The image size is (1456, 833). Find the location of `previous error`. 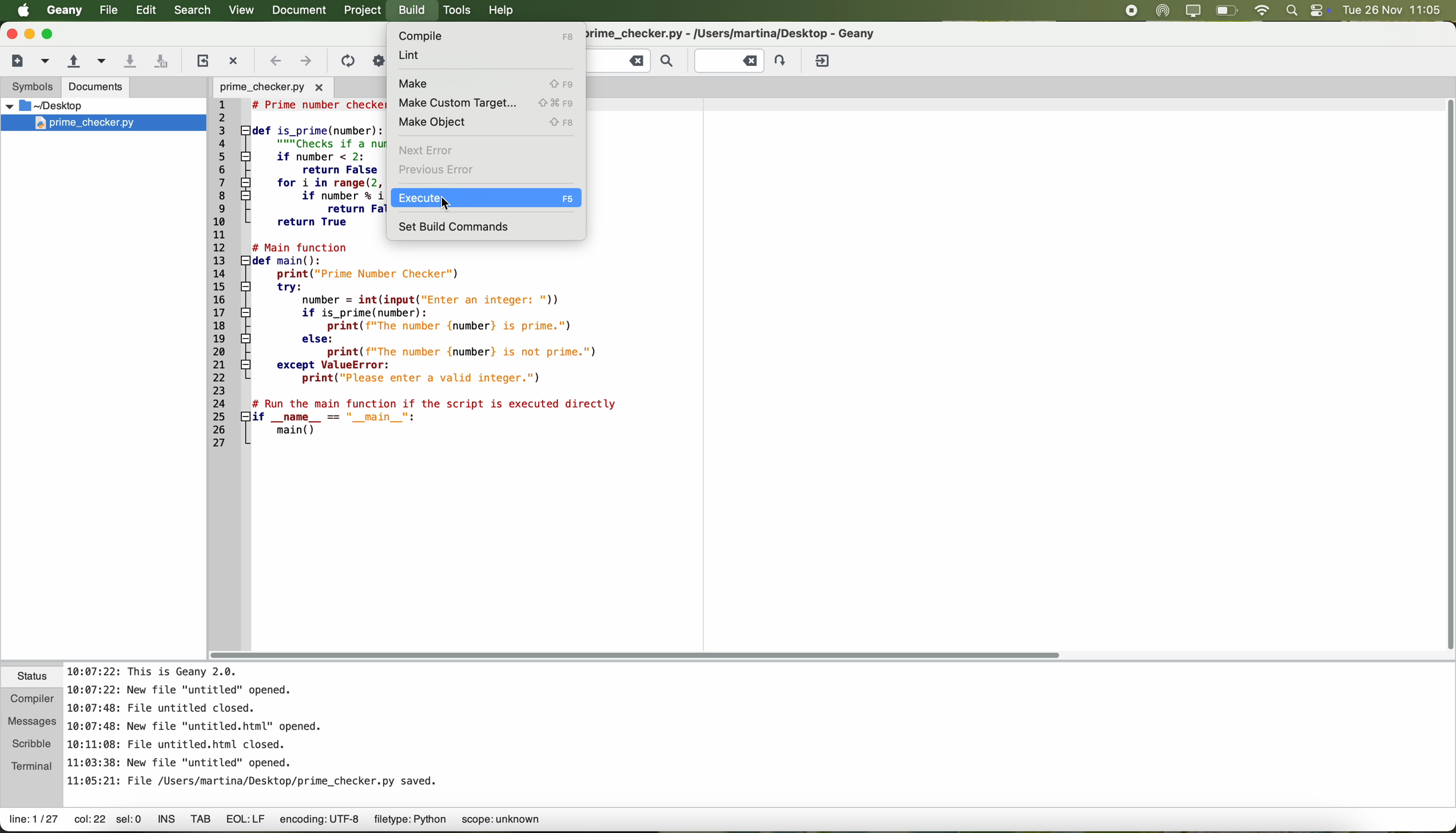

previous error is located at coordinates (439, 171).